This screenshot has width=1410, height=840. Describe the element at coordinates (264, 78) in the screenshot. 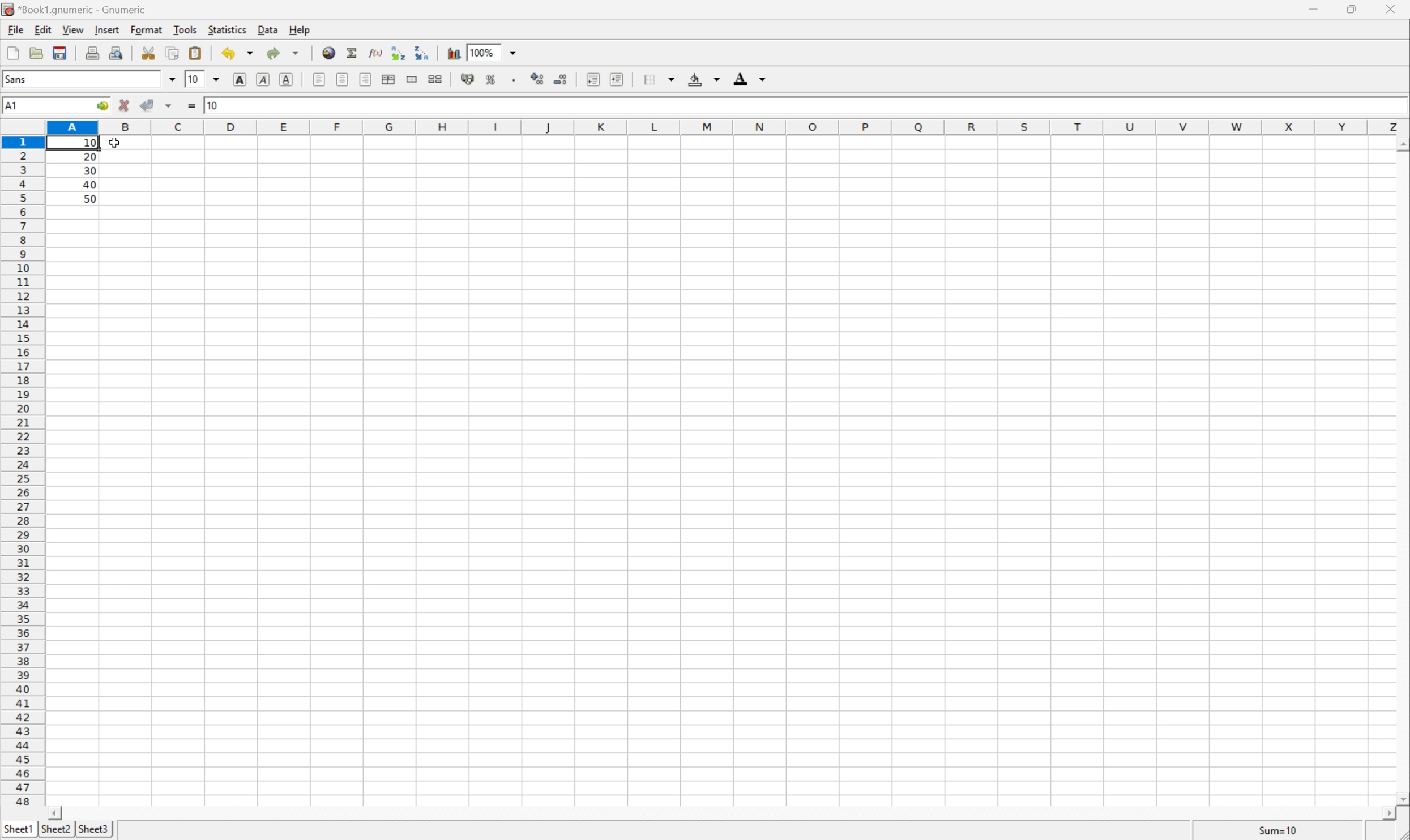

I see `Italic` at that location.